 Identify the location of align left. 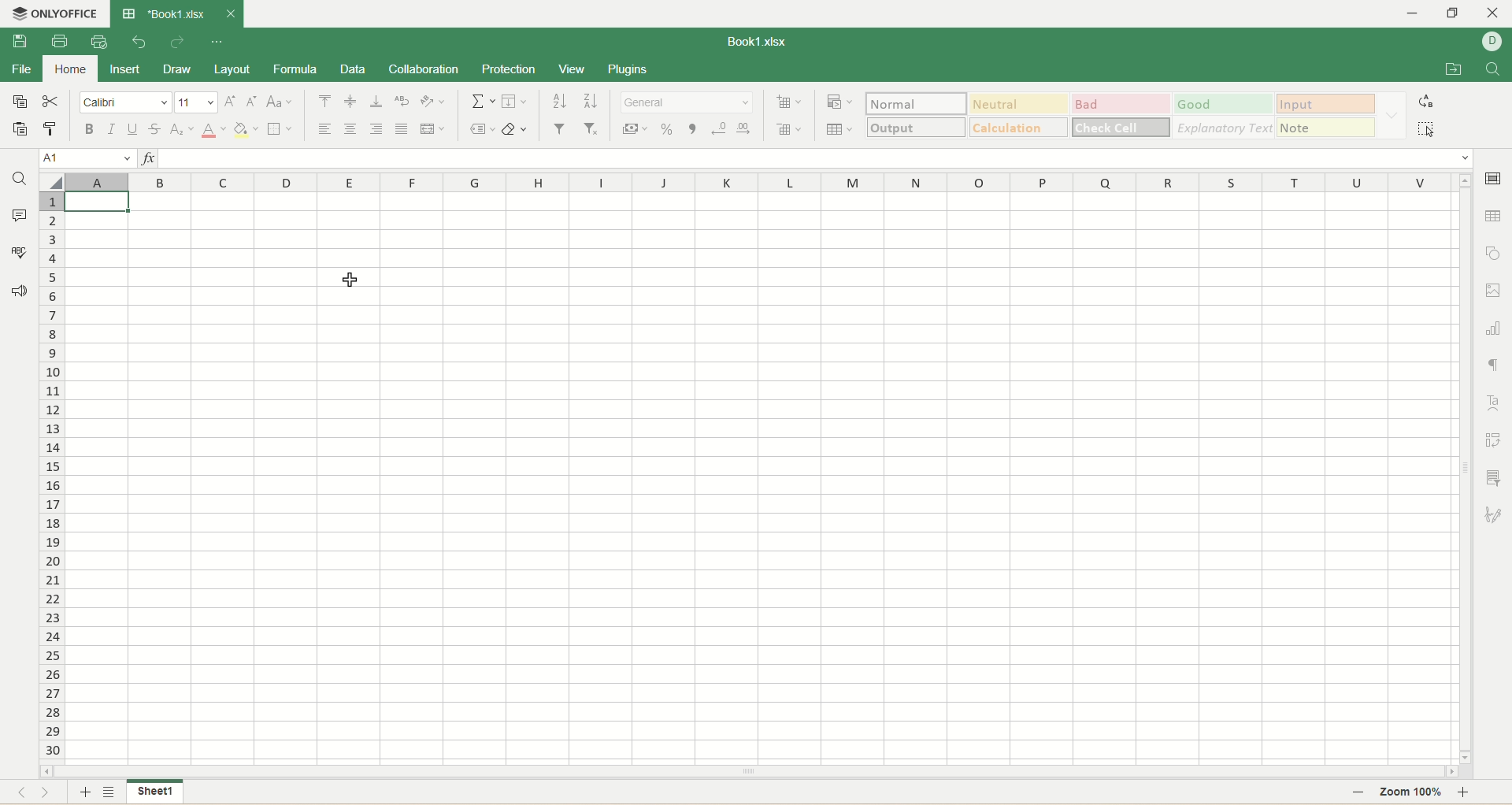
(321, 131).